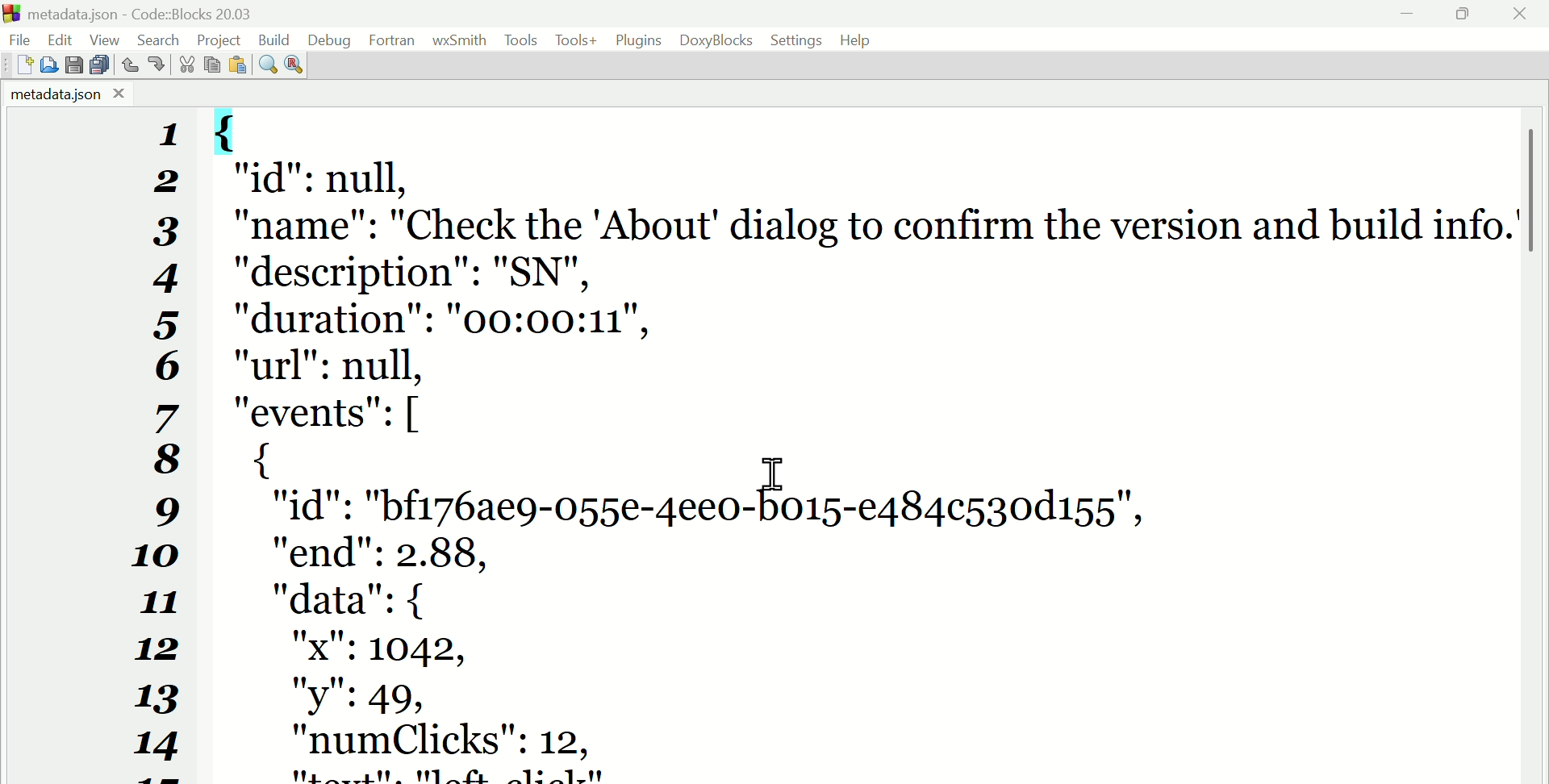  Describe the element at coordinates (107, 39) in the screenshot. I see `View` at that location.